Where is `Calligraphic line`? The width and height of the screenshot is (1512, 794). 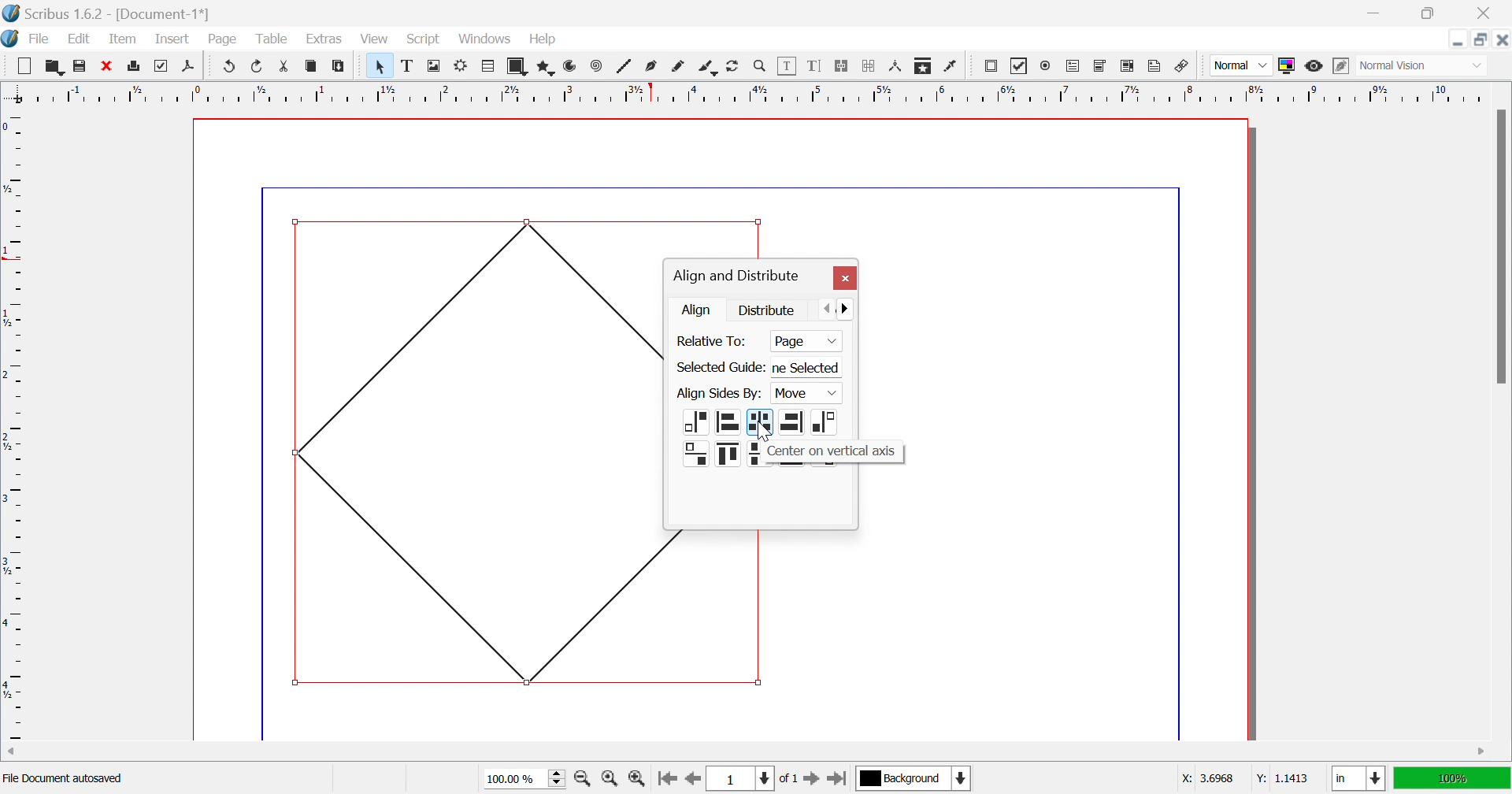 Calligraphic line is located at coordinates (707, 69).